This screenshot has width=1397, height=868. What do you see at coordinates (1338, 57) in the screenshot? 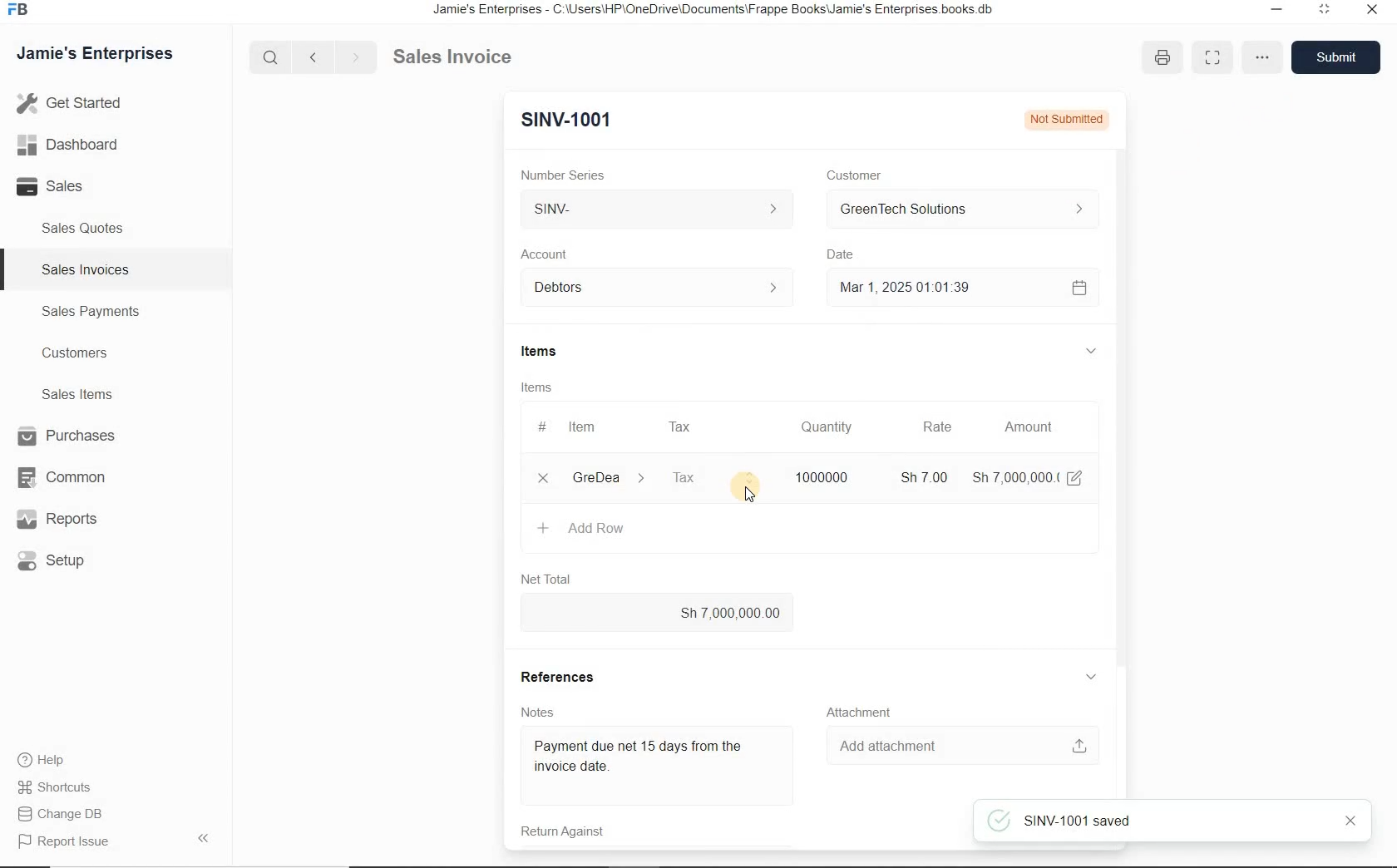
I see `save` at bounding box center [1338, 57].